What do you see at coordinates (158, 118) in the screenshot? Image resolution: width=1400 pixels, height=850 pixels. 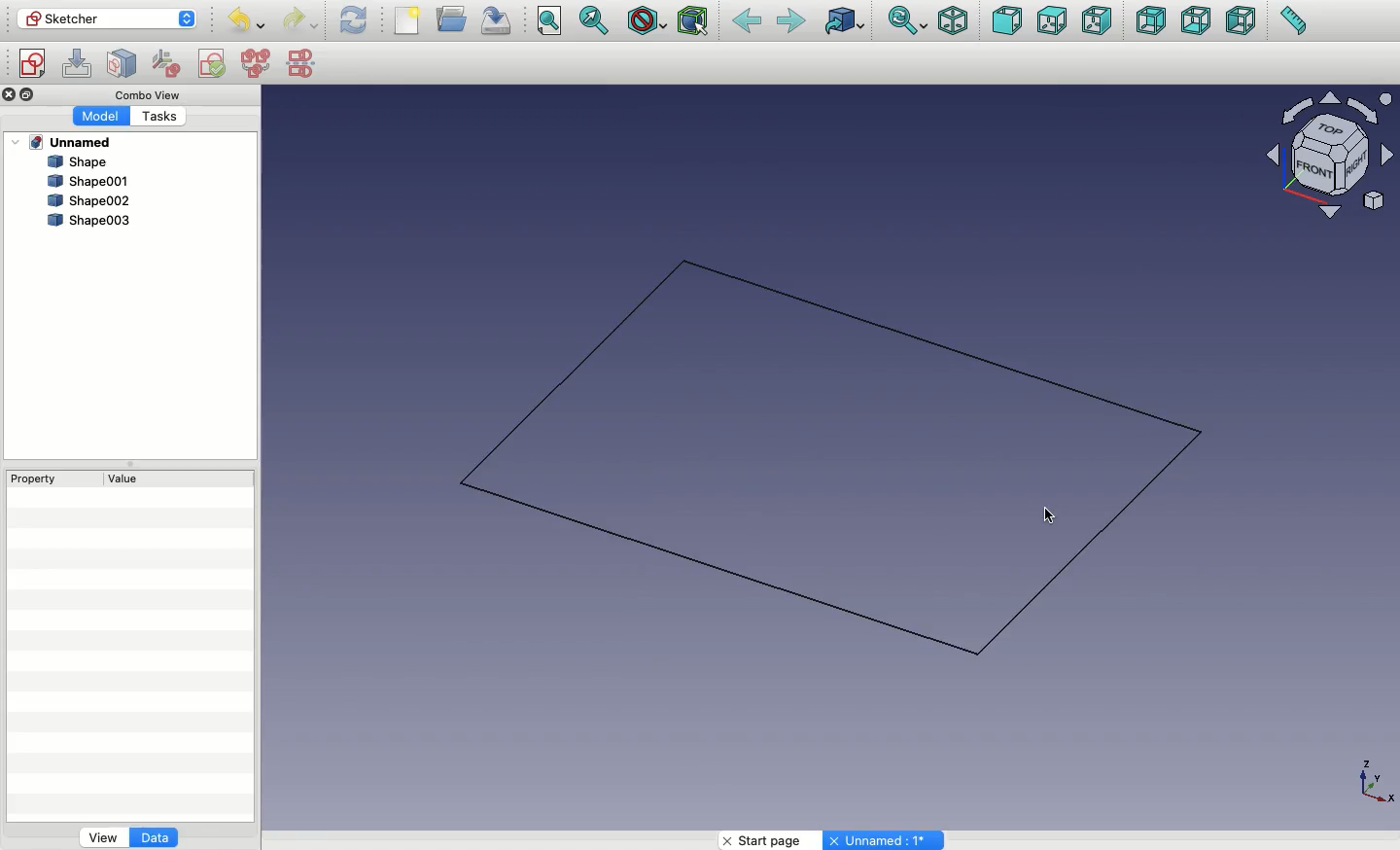 I see `Tasks` at bounding box center [158, 118].